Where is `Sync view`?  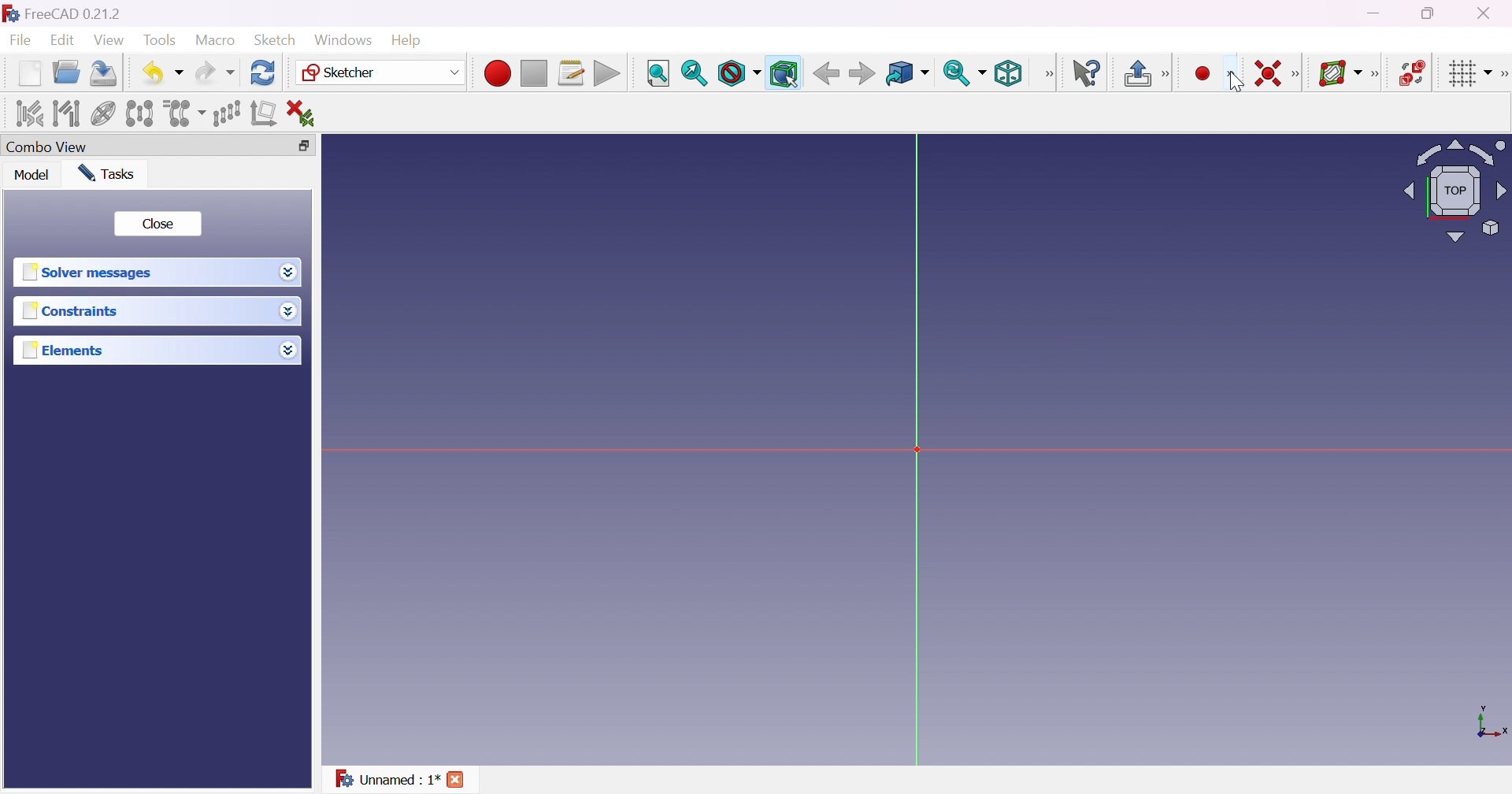 Sync view is located at coordinates (963, 72).